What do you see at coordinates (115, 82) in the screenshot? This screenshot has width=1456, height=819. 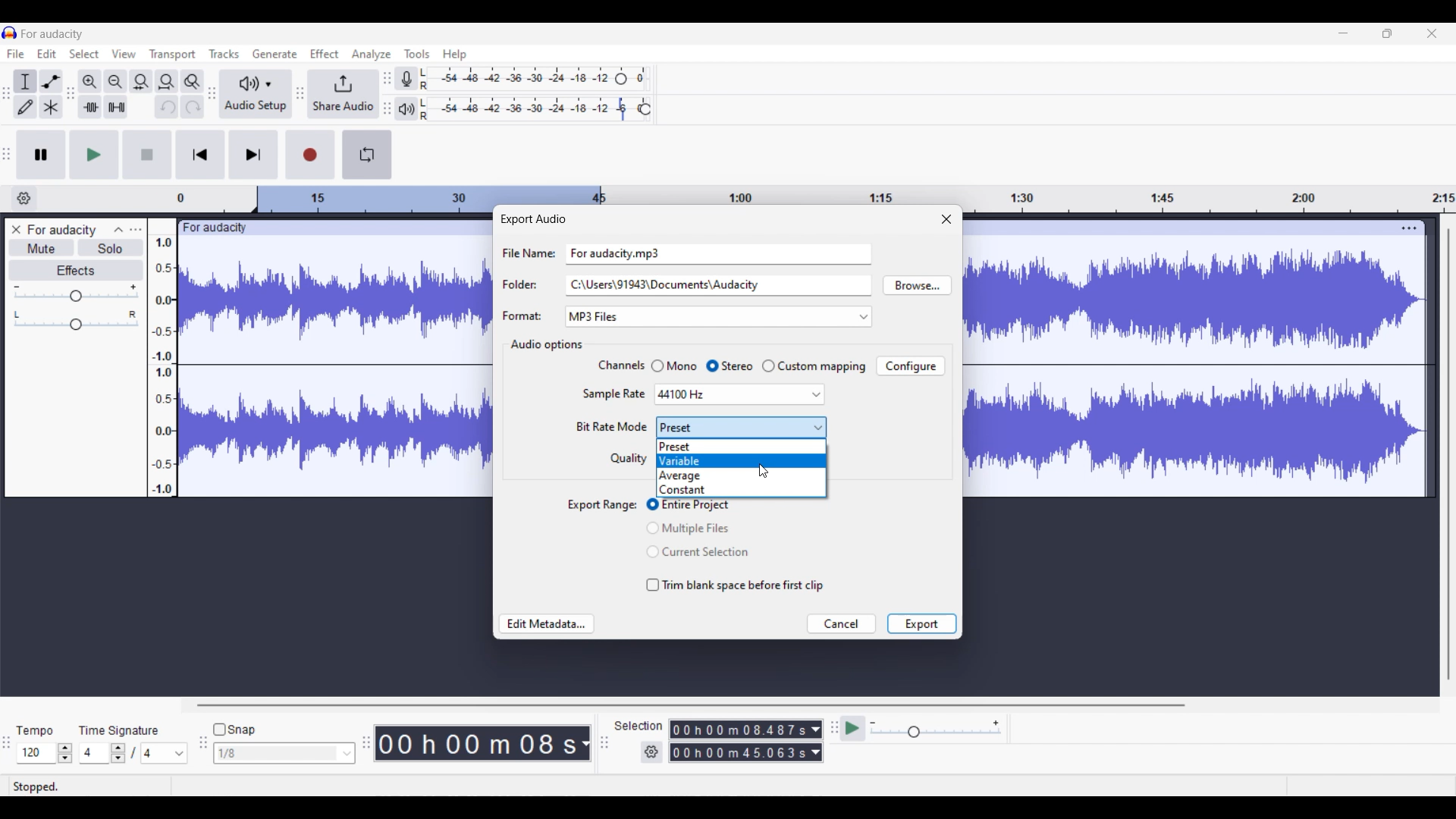 I see `Zoom out` at bounding box center [115, 82].